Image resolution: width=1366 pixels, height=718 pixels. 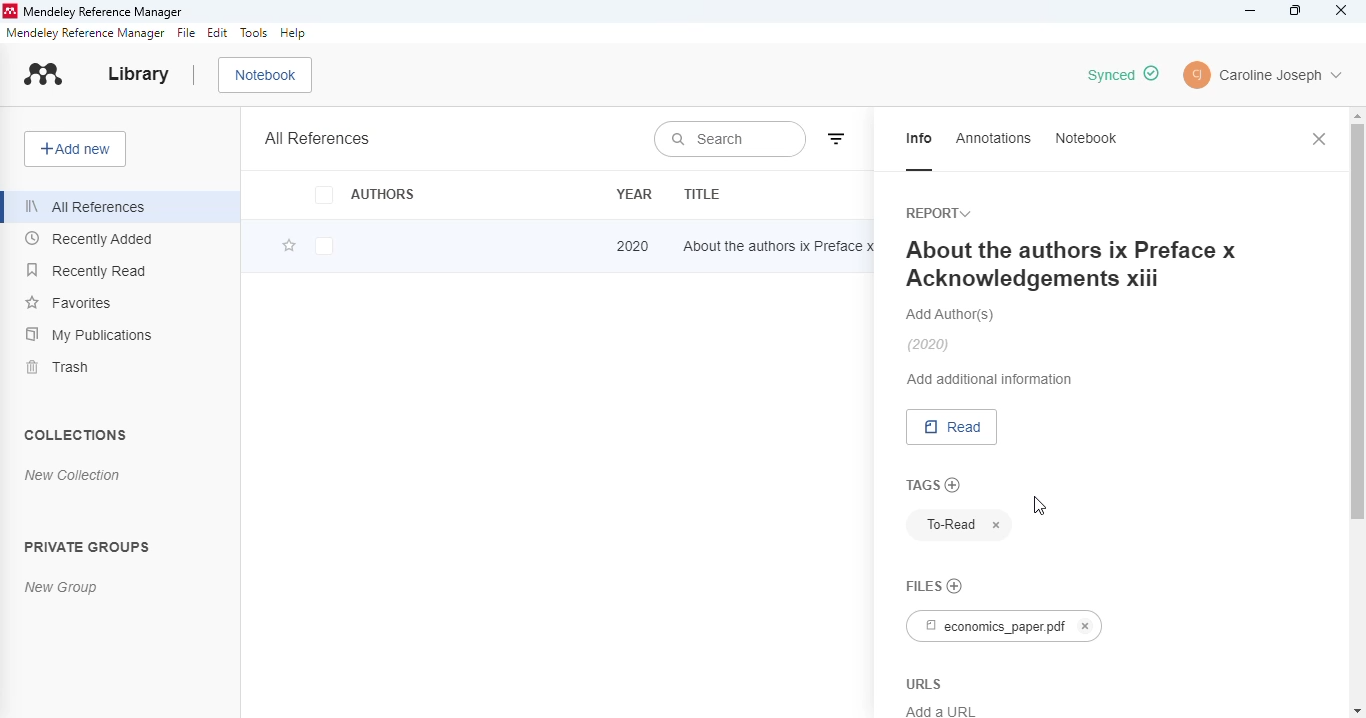 I want to click on "To-Read" tag ENTERED, so click(x=945, y=525).